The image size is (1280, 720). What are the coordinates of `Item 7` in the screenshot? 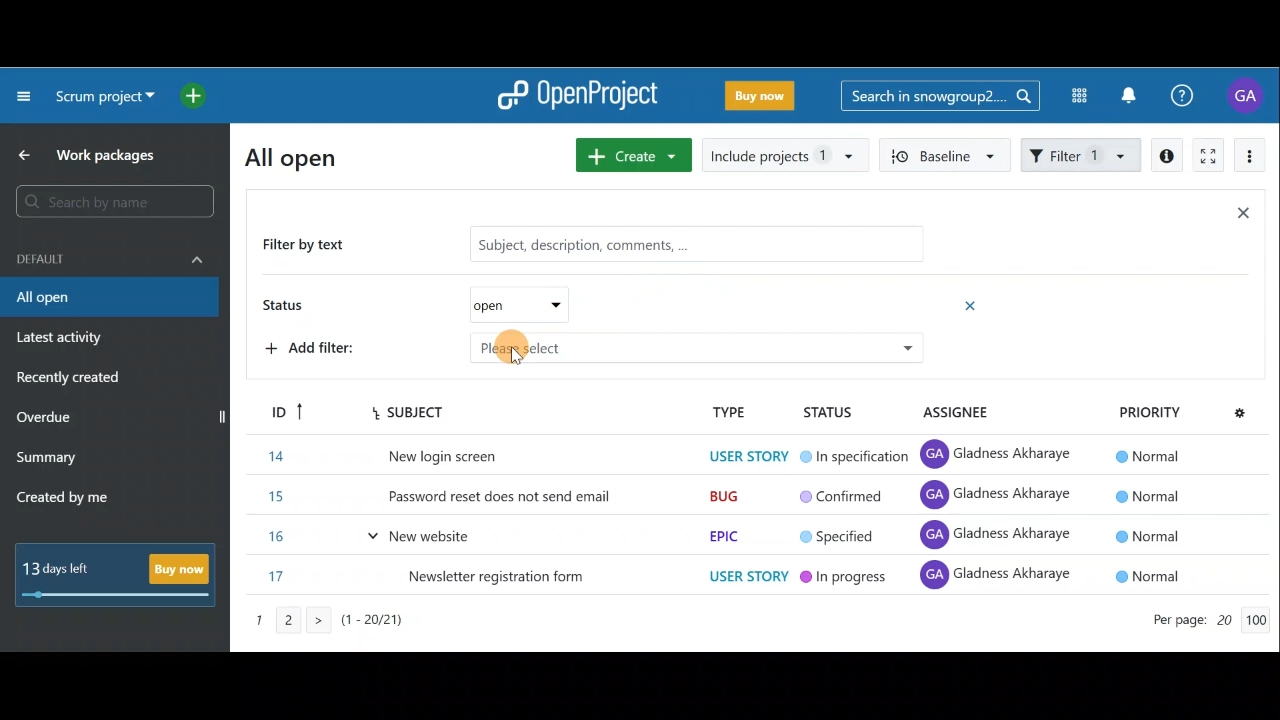 It's located at (714, 499).